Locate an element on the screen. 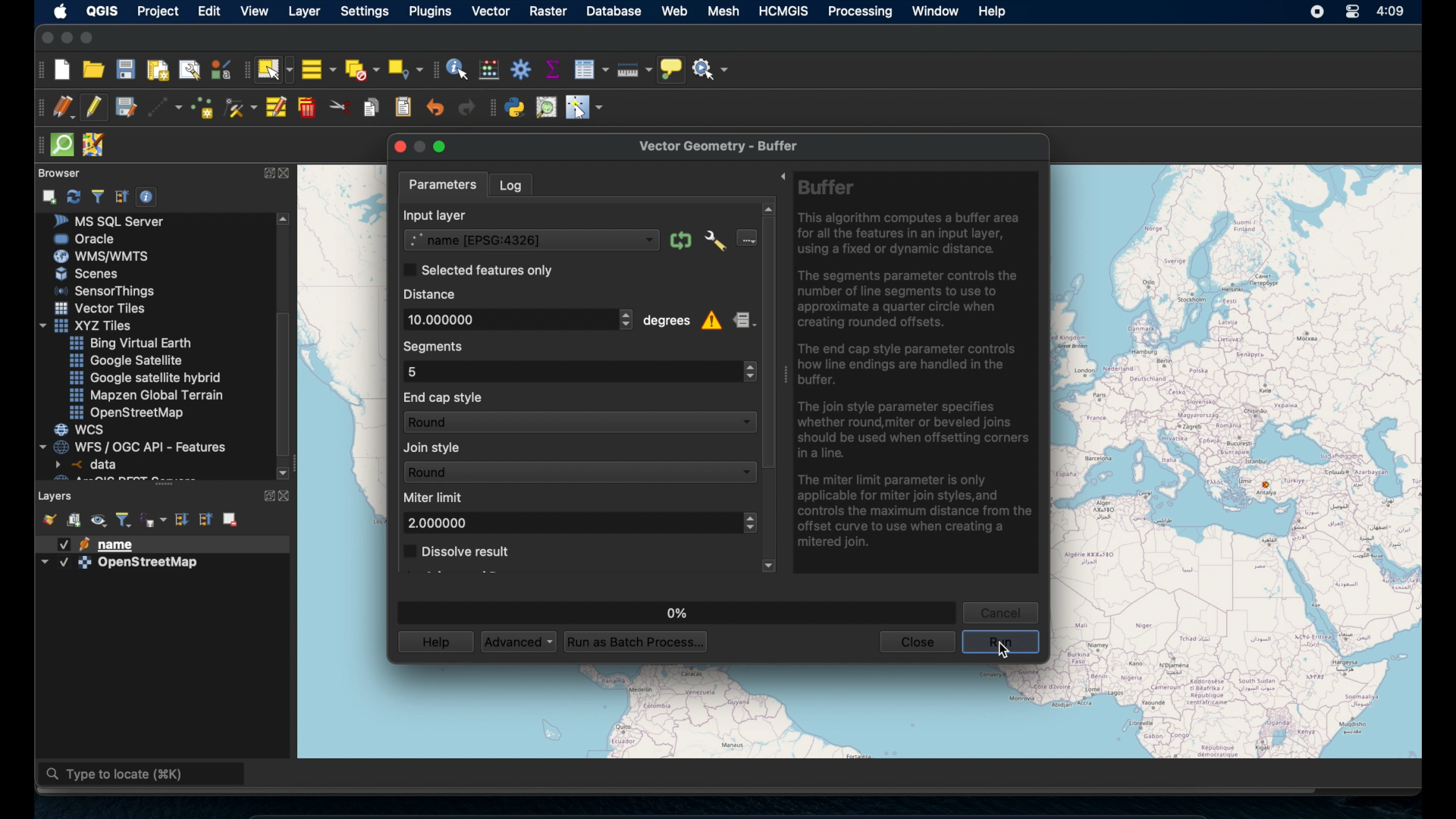 This screenshot has height=819, width=1456. manage map. themes is located at coordinates (99, 521).